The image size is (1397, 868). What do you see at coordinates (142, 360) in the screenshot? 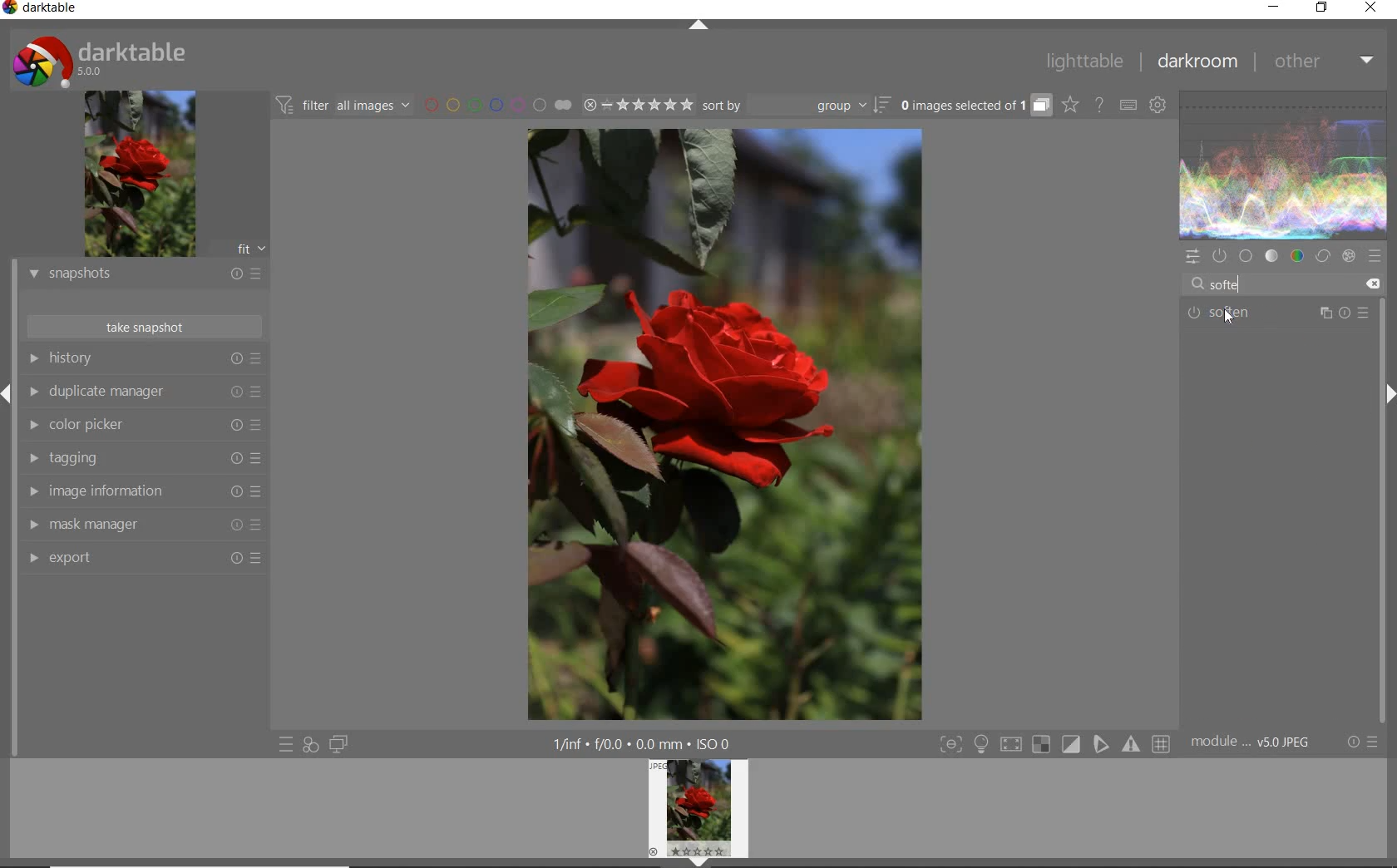
I see `history` at bounding box center [142, 360].